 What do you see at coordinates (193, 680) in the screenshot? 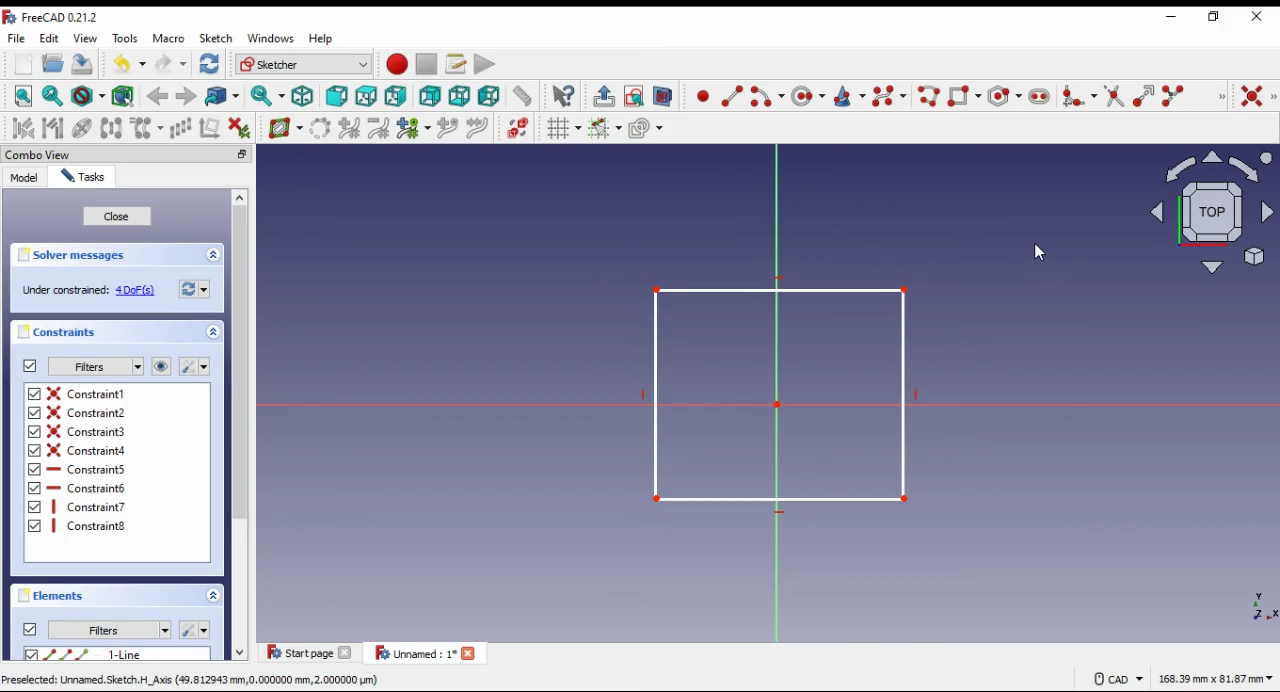
I see `Preselected: Unnamed. Sketch. H_Axis (49,812943 mm,0.000000 mm, 2.000000 pum)` at bounding box center [193, 680].